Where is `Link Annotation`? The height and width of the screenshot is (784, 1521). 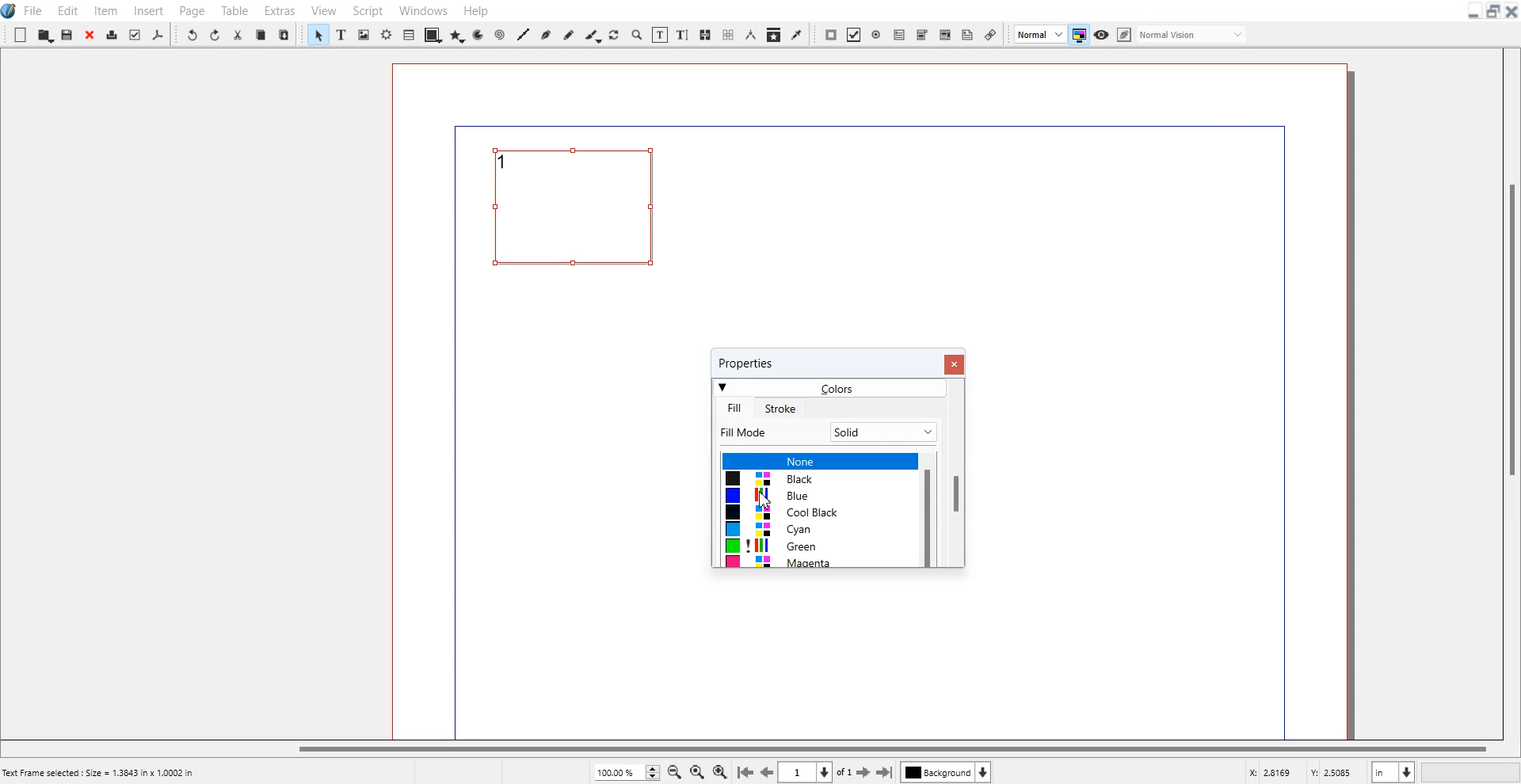
Link Annotation is located at coordinates (990, 33).